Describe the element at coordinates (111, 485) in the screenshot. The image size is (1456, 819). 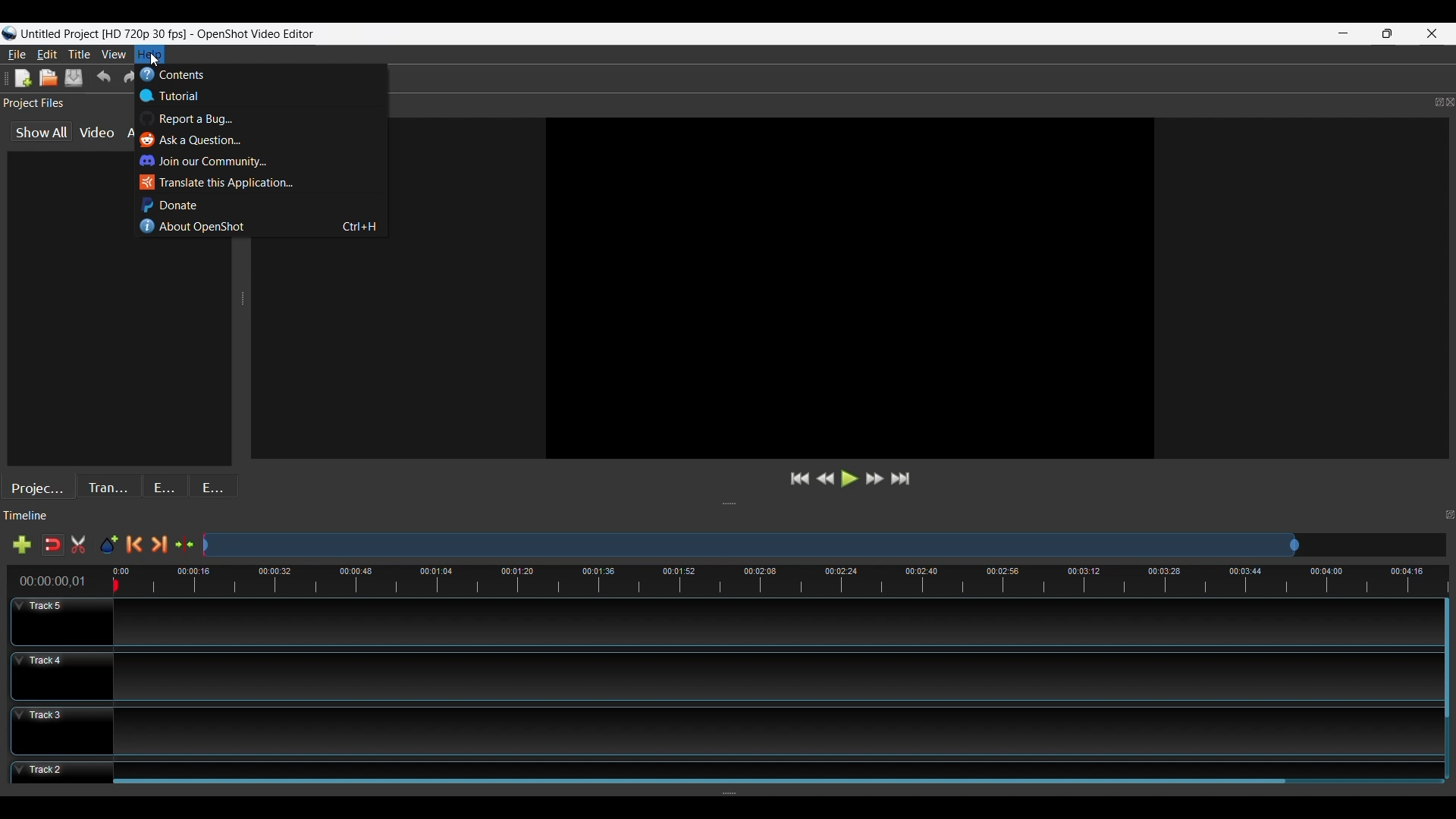
I see `Transition` at that location.